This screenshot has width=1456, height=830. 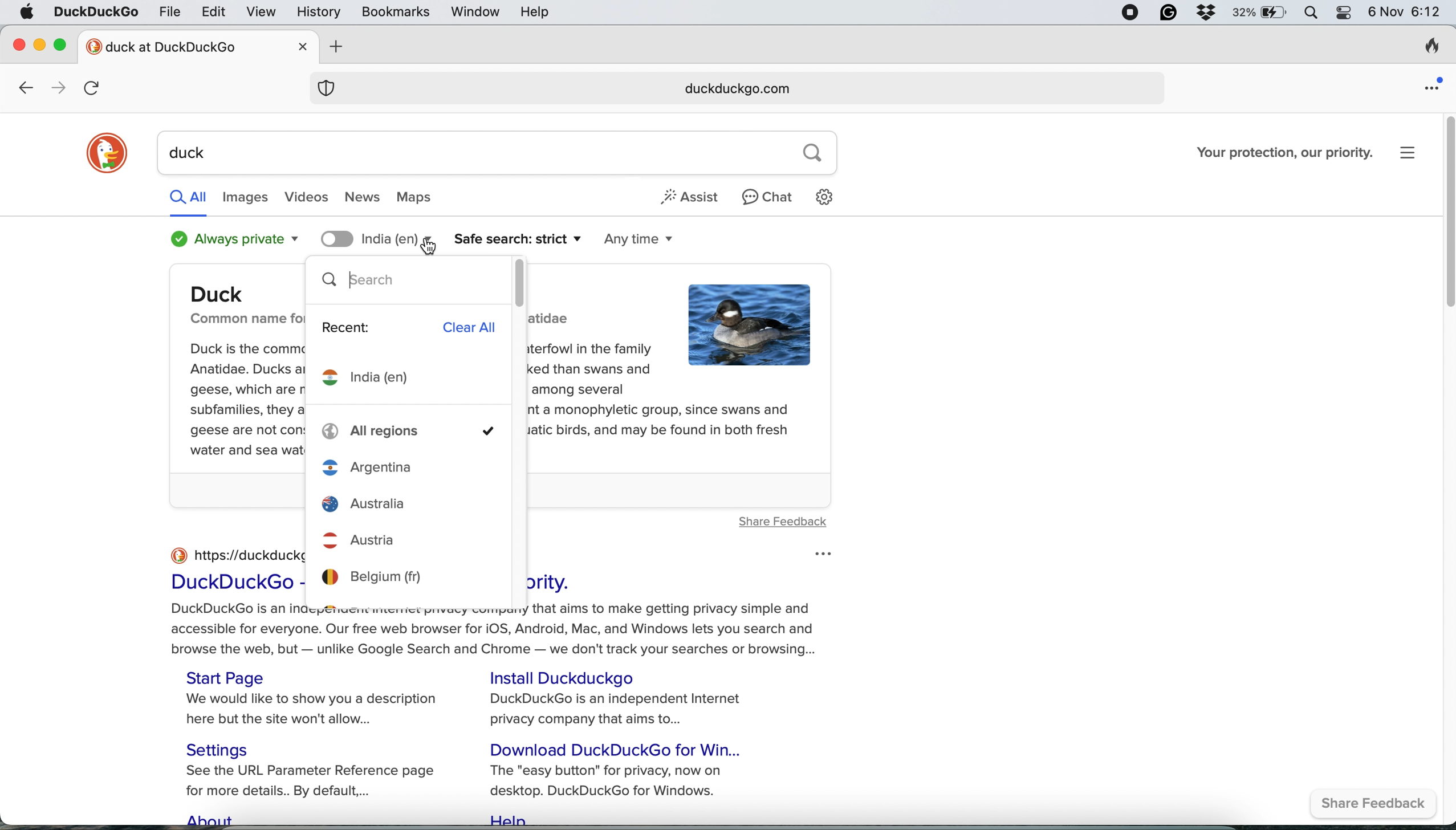 I want to click on india, so click(x=373, y=380).